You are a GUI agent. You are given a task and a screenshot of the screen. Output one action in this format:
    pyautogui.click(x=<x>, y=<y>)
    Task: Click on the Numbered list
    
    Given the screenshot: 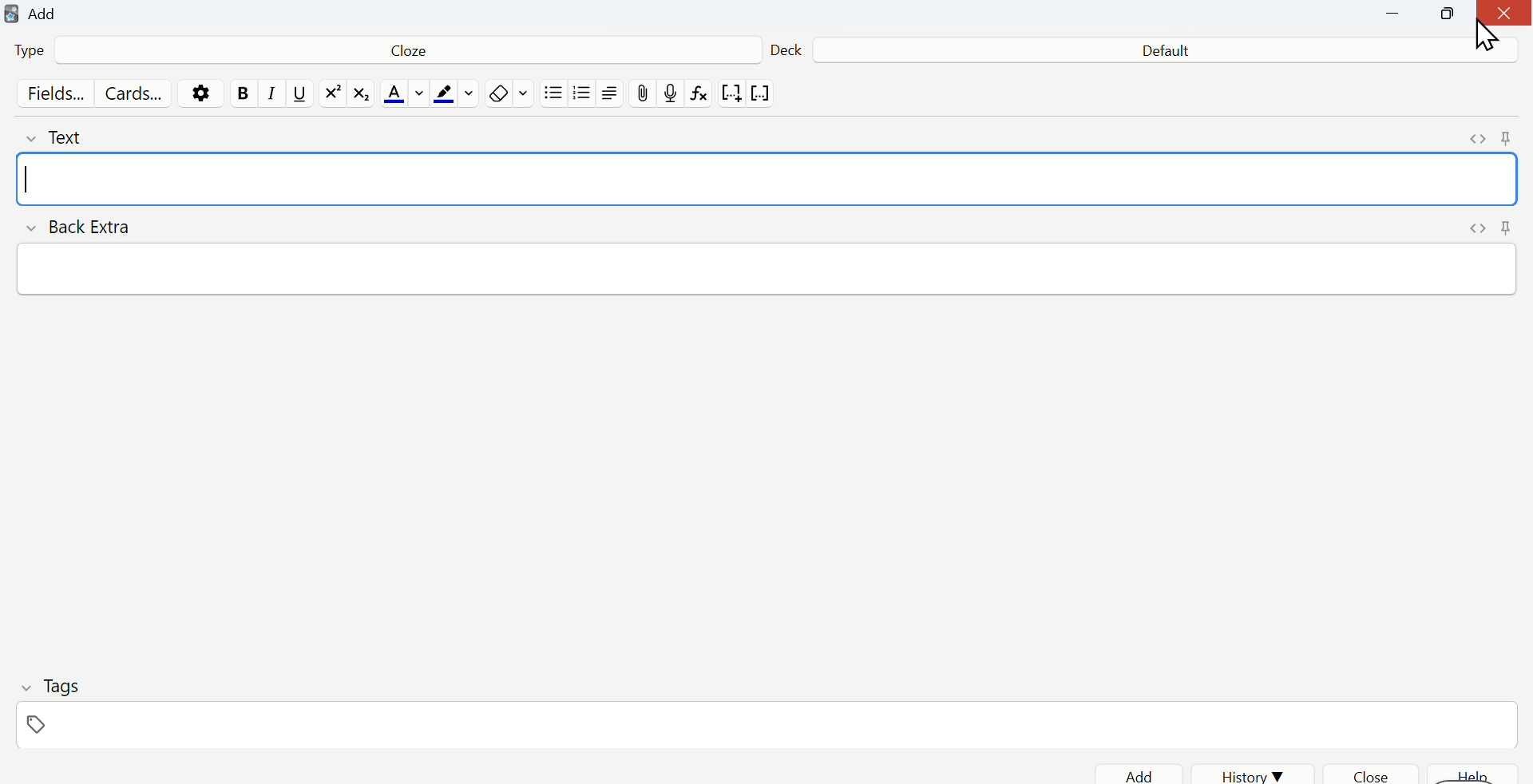 What is the action you would take?
    pyautogui.click(x=584, y=96)
    